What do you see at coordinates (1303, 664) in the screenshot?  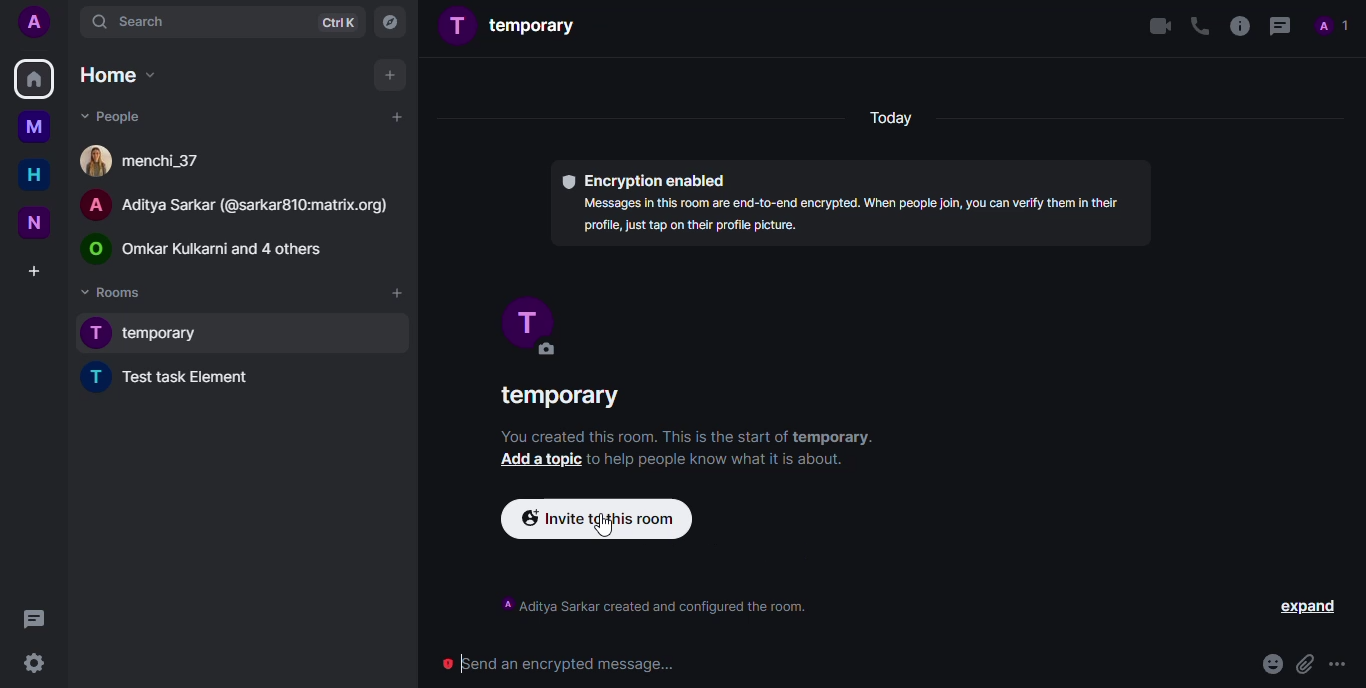 I see `attach` at bounding box center [1303, 664].